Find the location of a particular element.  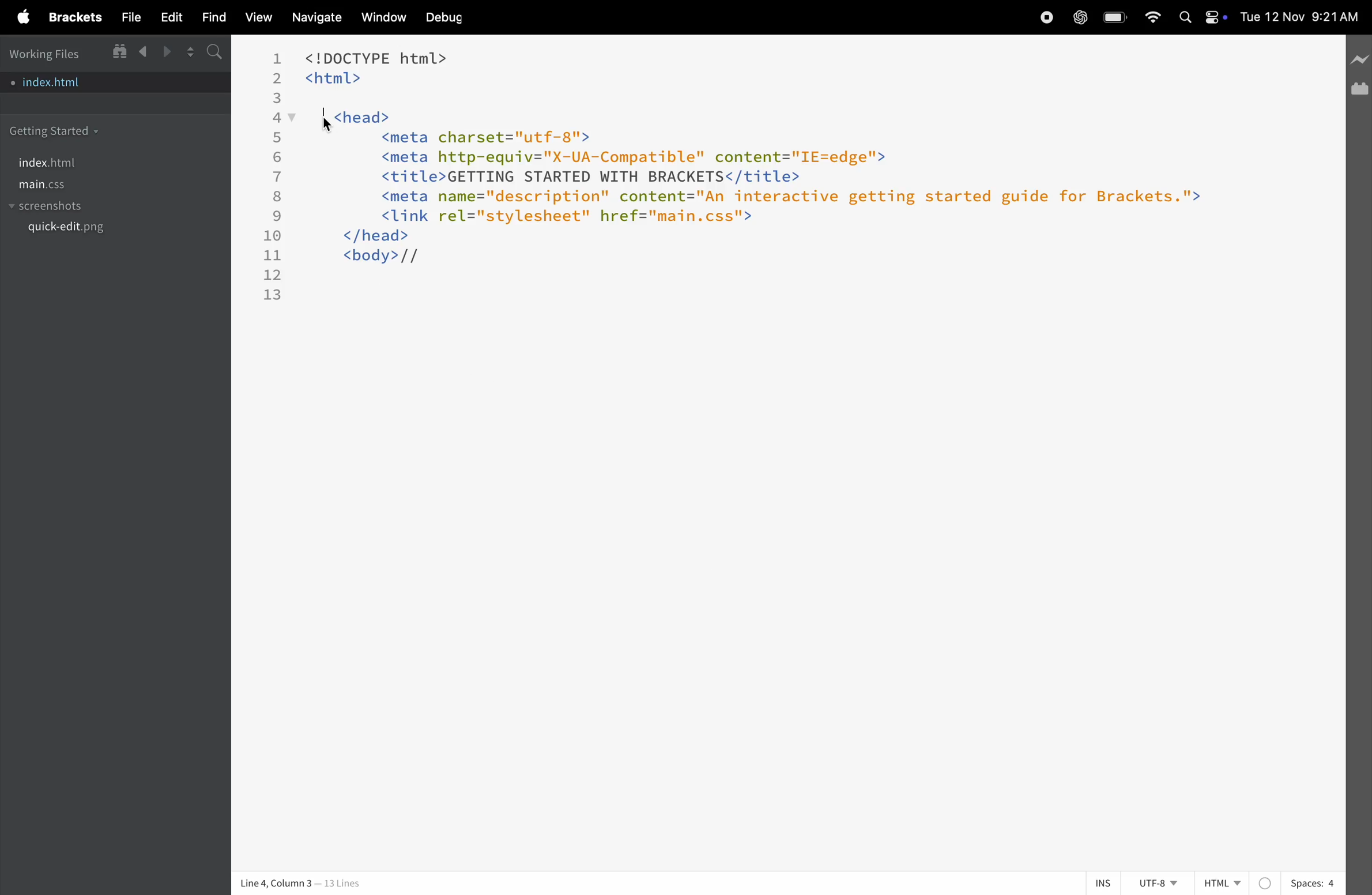

wifi is located at coordinates (1150, 16).